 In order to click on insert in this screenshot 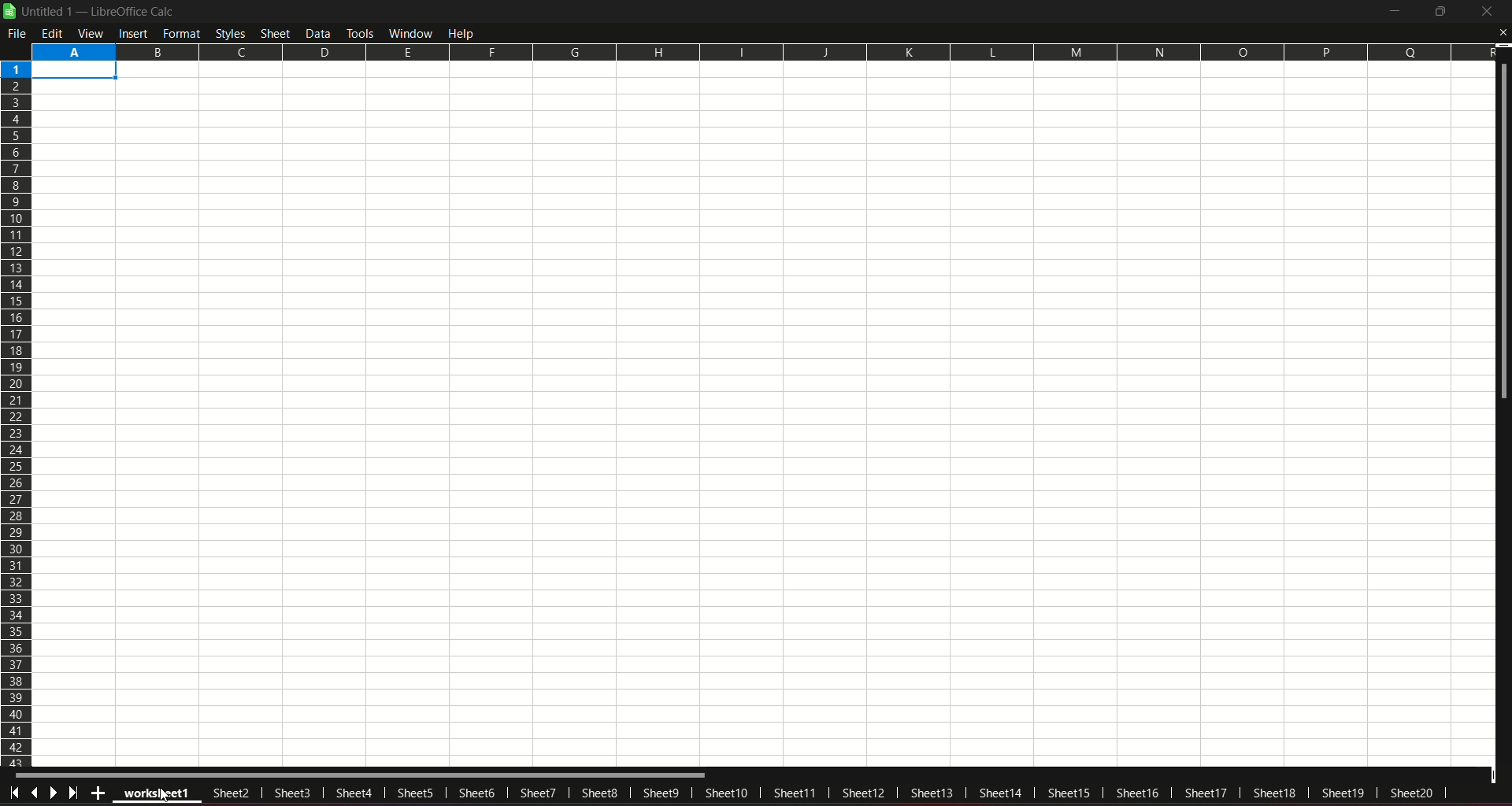, I will do `click(132, 33)`.